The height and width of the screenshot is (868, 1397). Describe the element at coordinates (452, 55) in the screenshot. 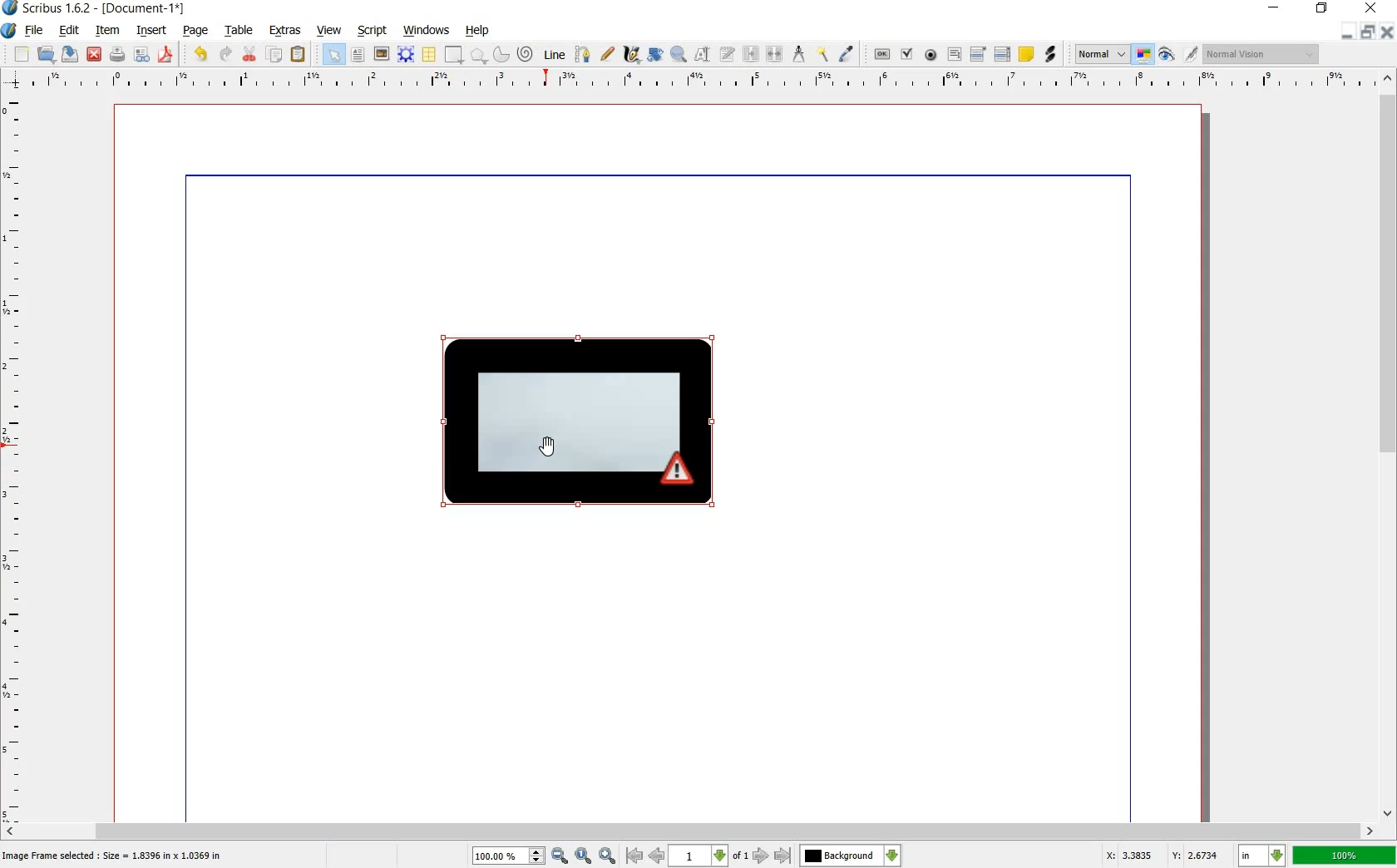

I see `shape` at that location.